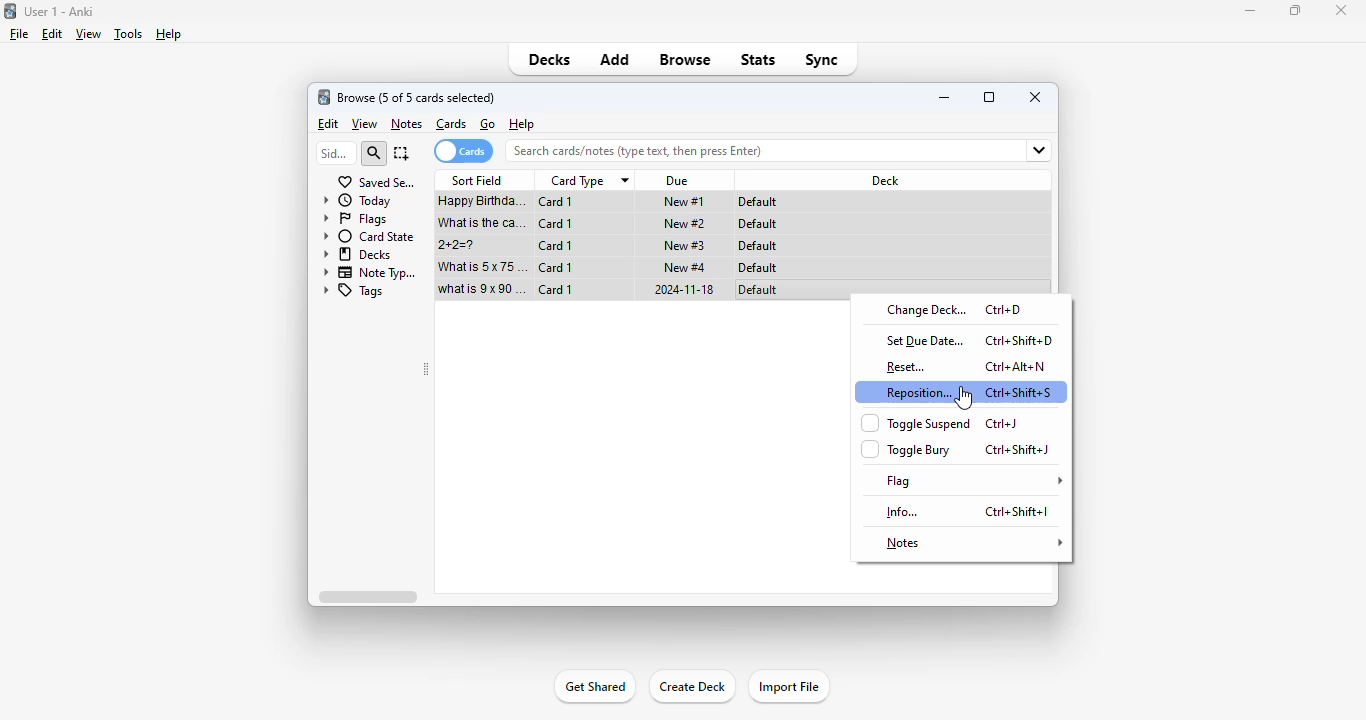 The height and width of the screenshot is (720, 1366). I want to click on new #4, so click(685, 266).